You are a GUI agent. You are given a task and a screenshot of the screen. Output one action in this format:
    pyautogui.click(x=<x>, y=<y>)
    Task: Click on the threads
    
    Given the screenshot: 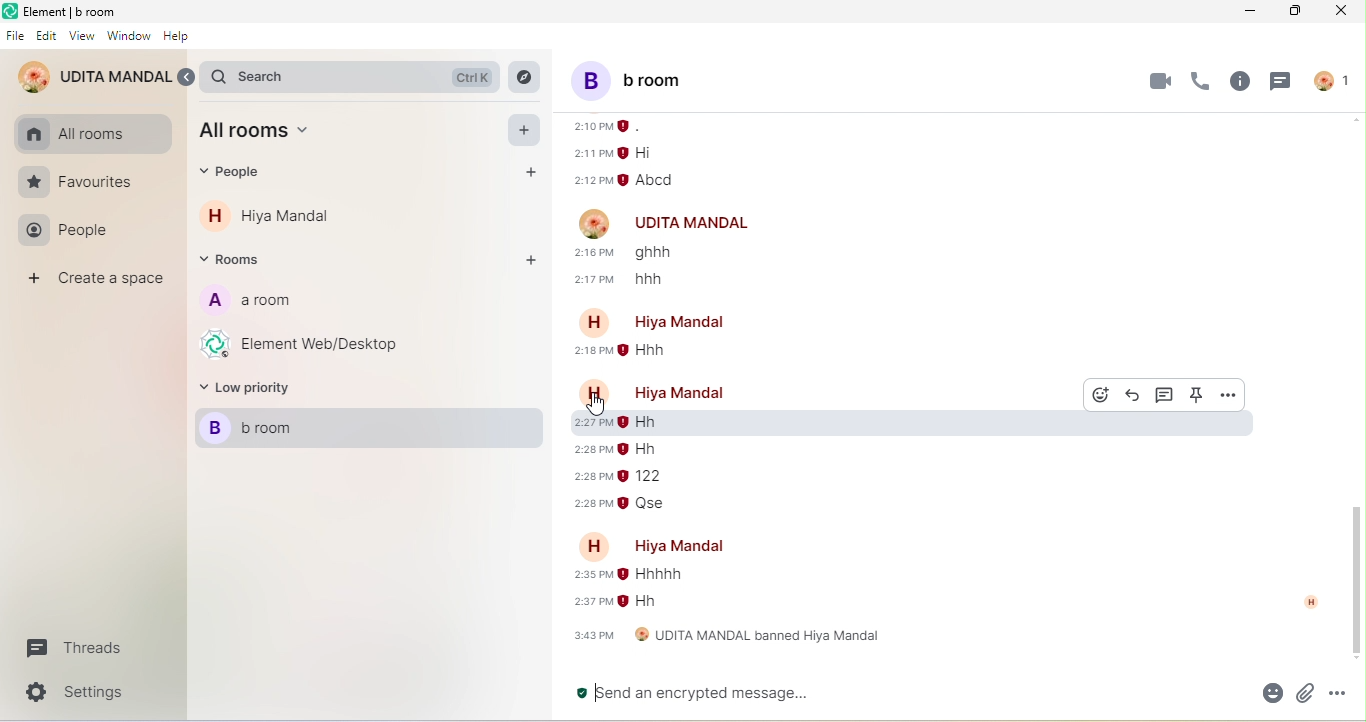 What is the action you would take?
    pyautogui.click(x=70, y=651)
    